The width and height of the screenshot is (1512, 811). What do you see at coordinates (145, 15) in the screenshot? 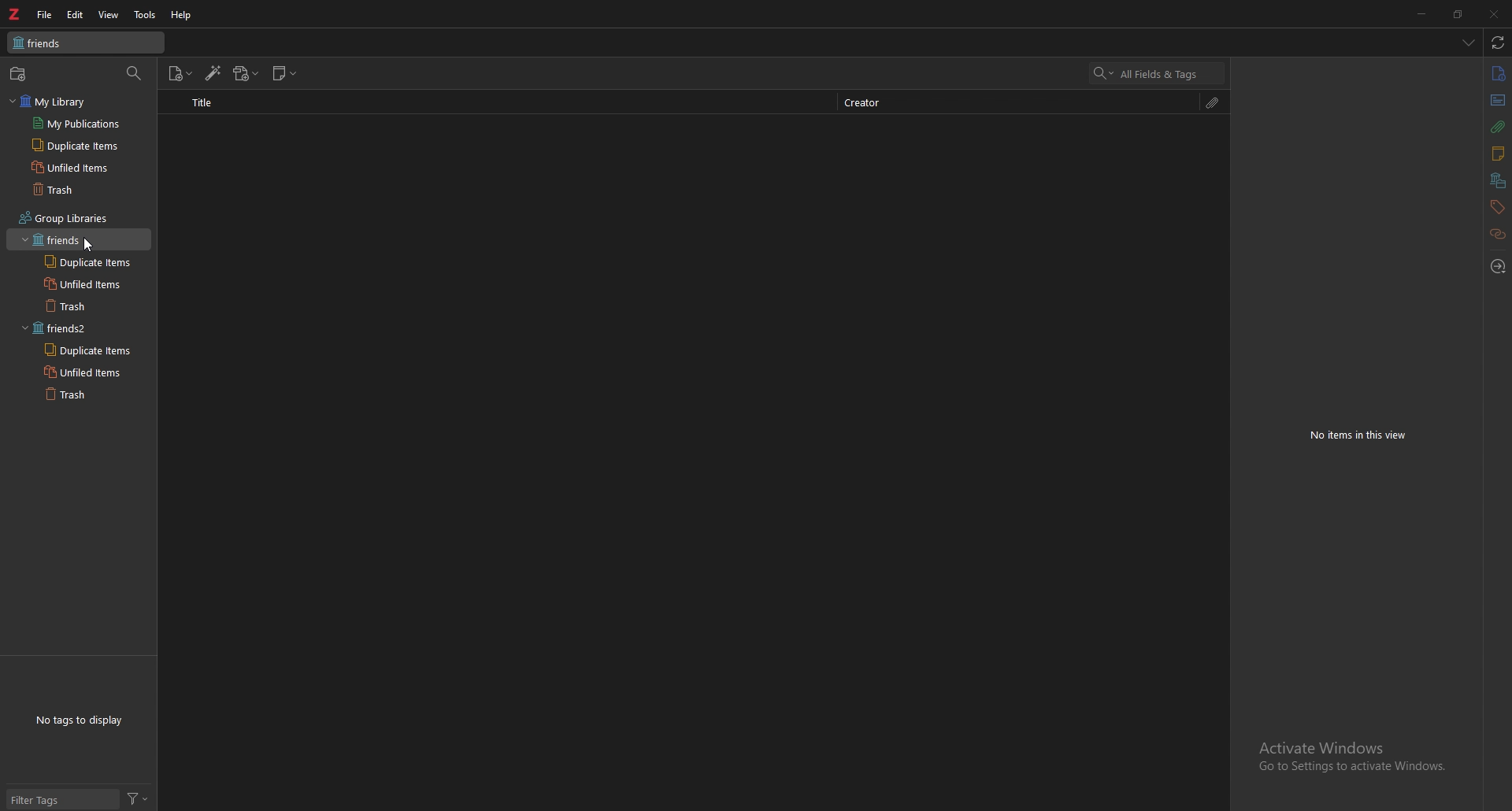
I see `tools` at bounding box center [145, 15].